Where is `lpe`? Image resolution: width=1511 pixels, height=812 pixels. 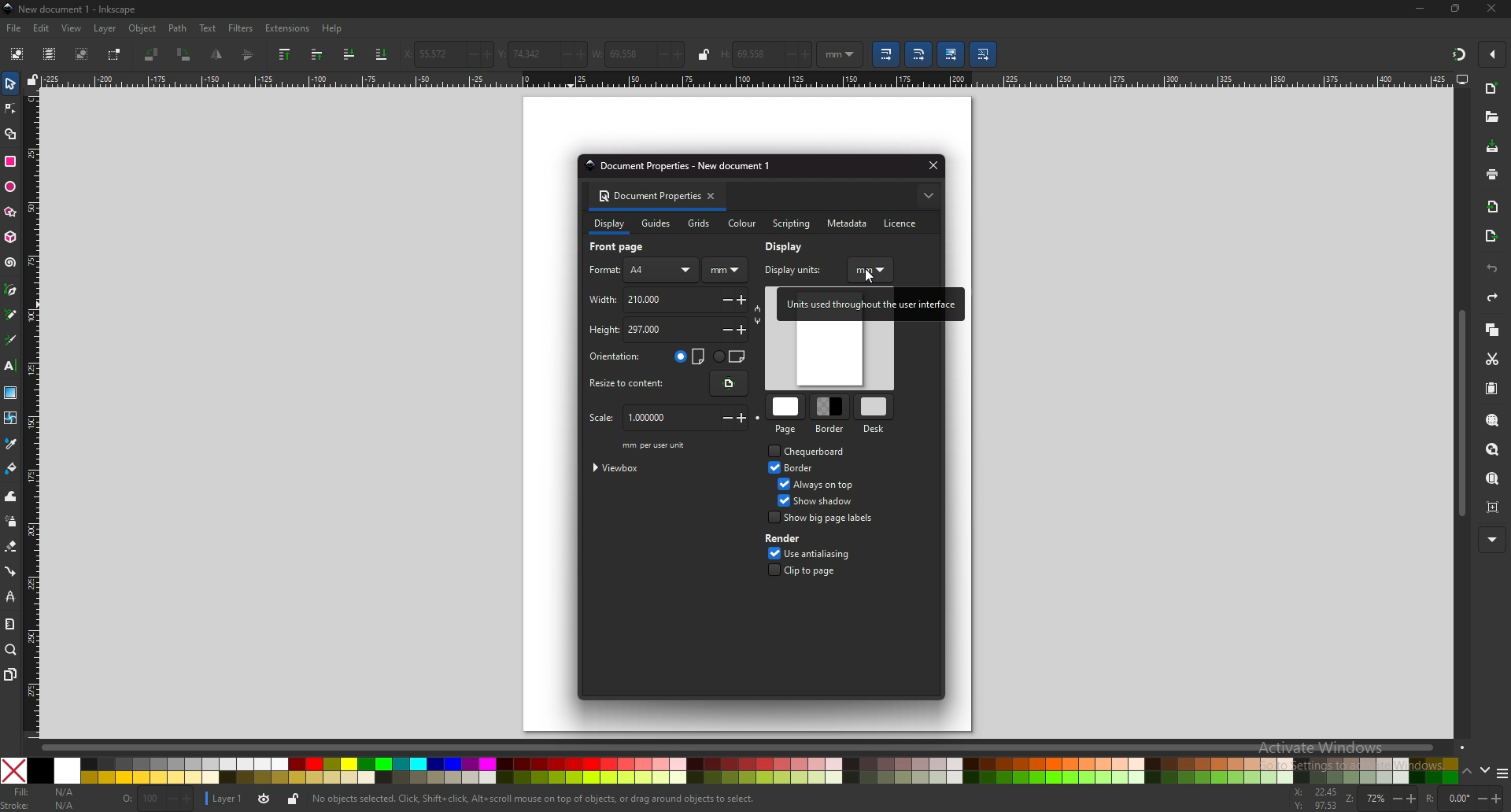 lpe is located at coordinates (9, 597).